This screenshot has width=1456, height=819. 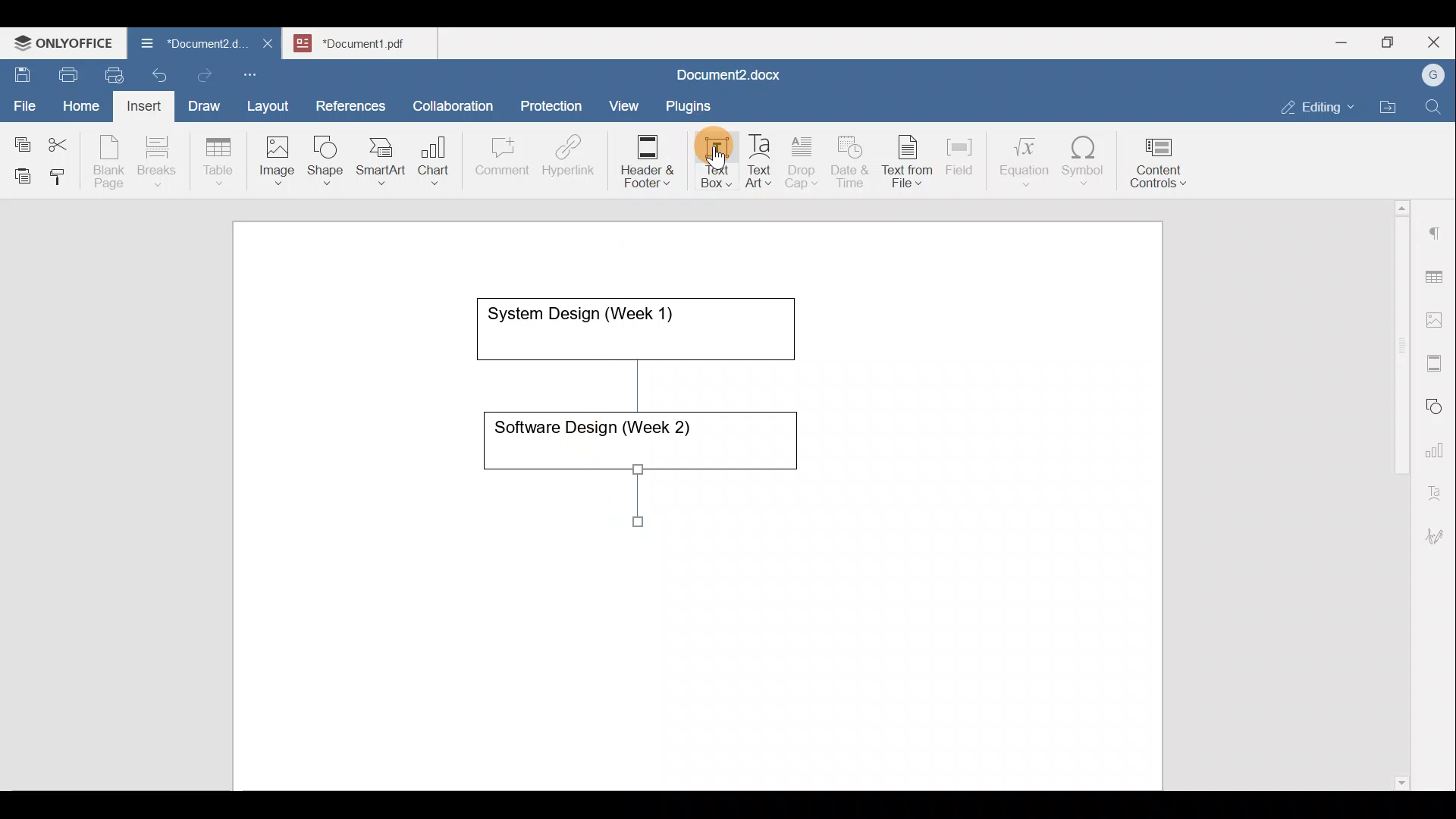 What do you see at coordinates (256, 72) in the screenshot?
I see `Customize quick access toolbar` at bounding box center [256, 72].